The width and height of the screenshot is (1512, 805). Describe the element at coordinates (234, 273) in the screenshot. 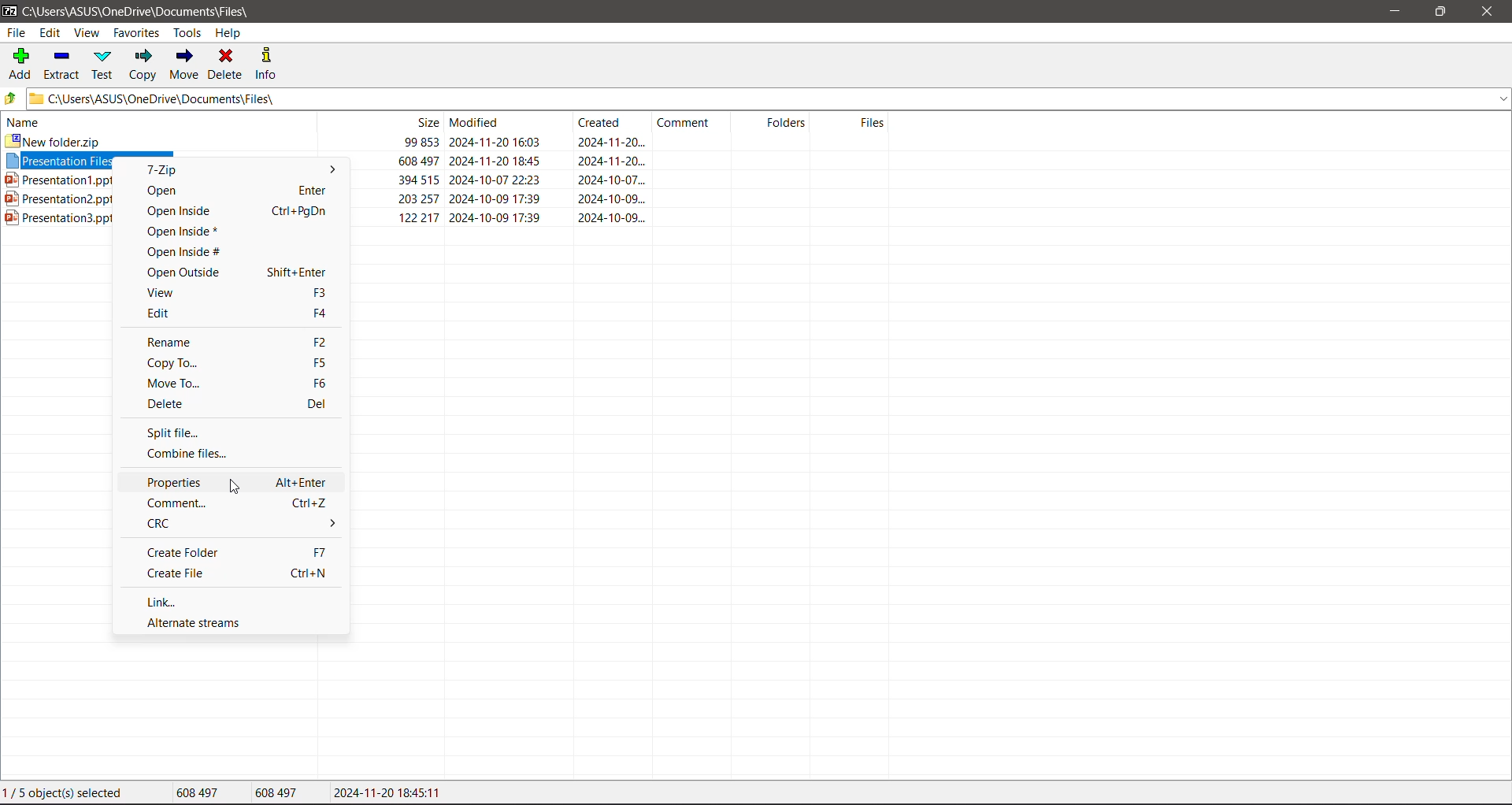

I see `Open Outside` at that location.